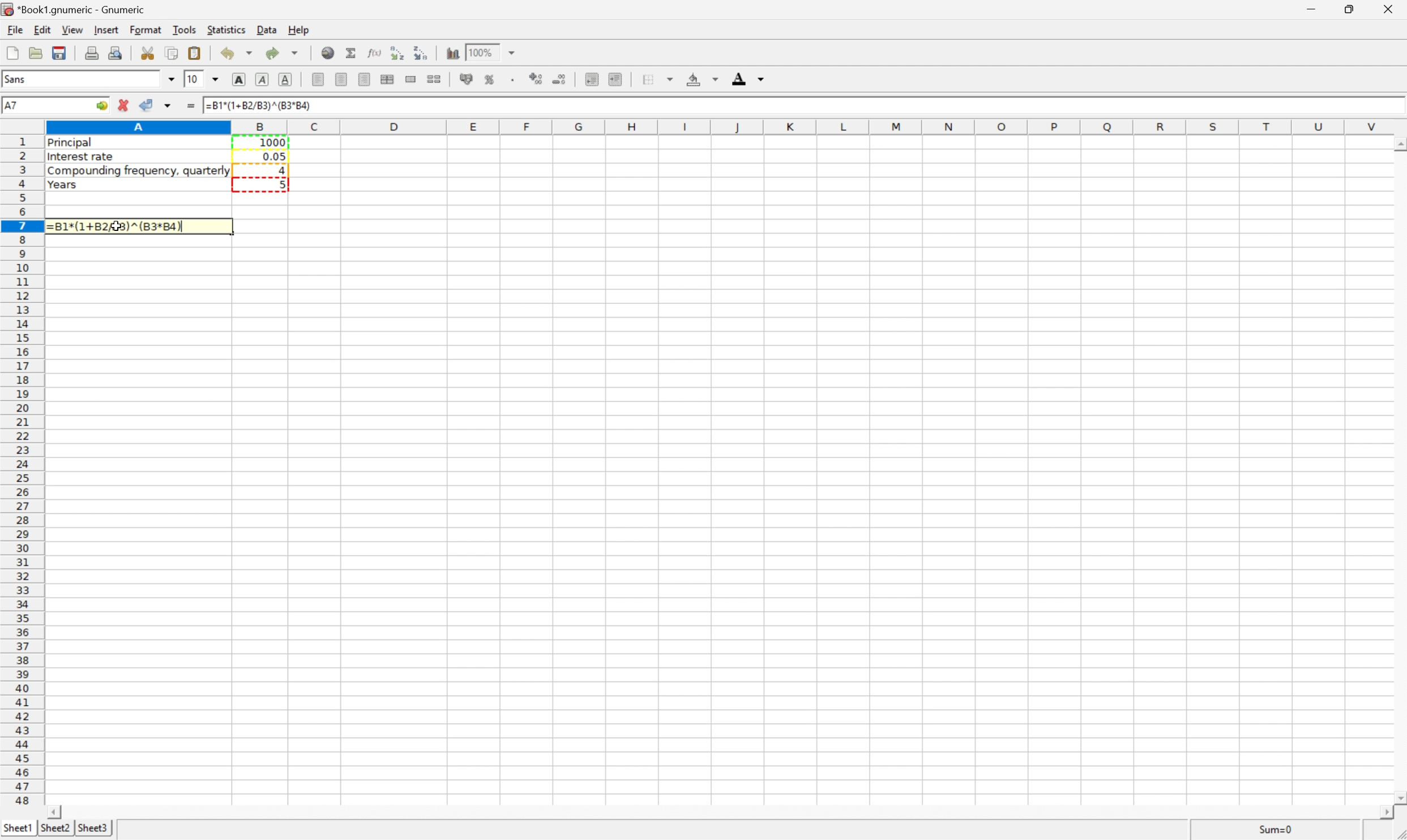 The width and height of the screenshot is (1407, 840). Describe the element at coordinates (297, 28) in the screenshot. I see `help` at that location.